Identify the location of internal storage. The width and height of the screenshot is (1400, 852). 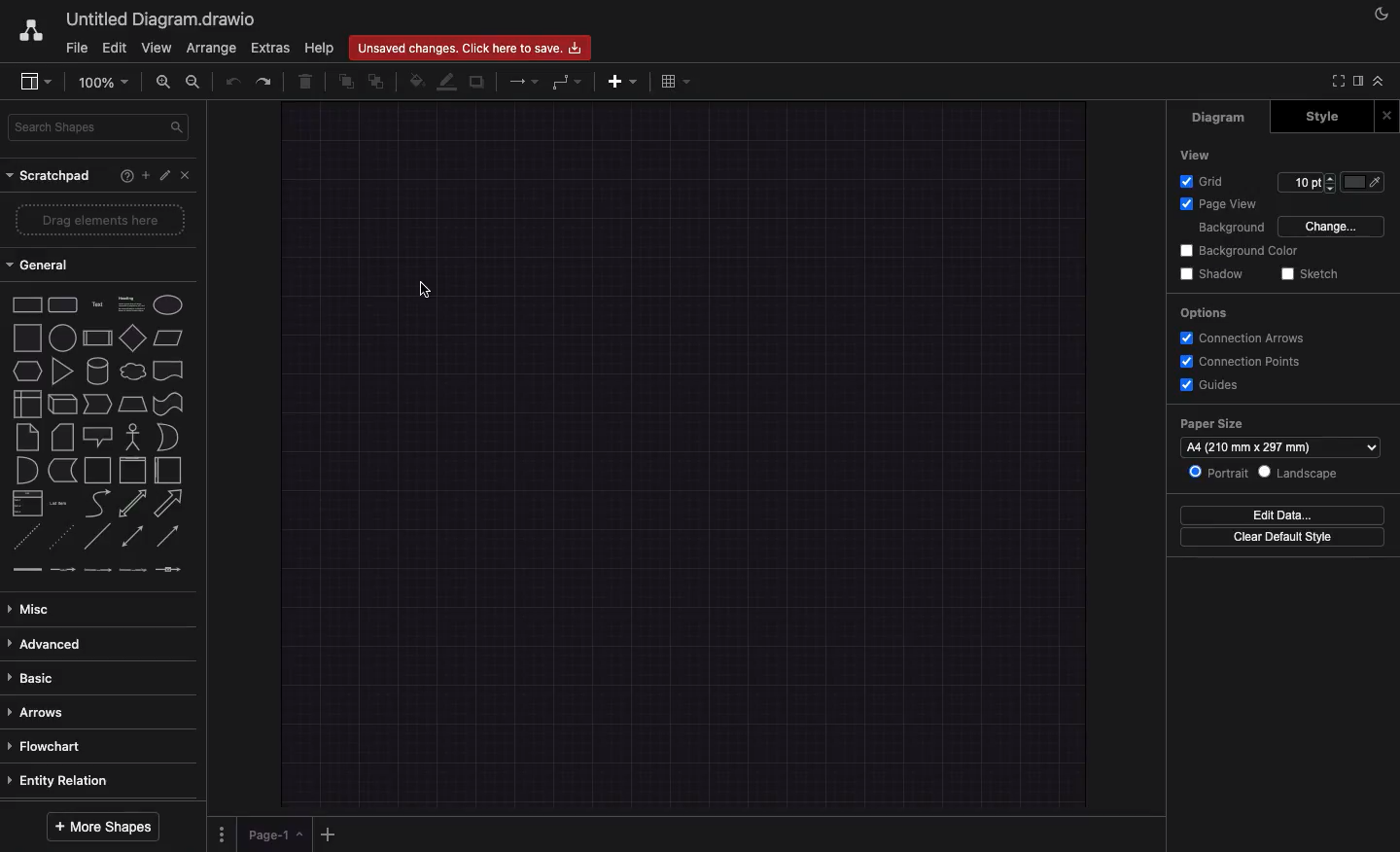
(26, 405).